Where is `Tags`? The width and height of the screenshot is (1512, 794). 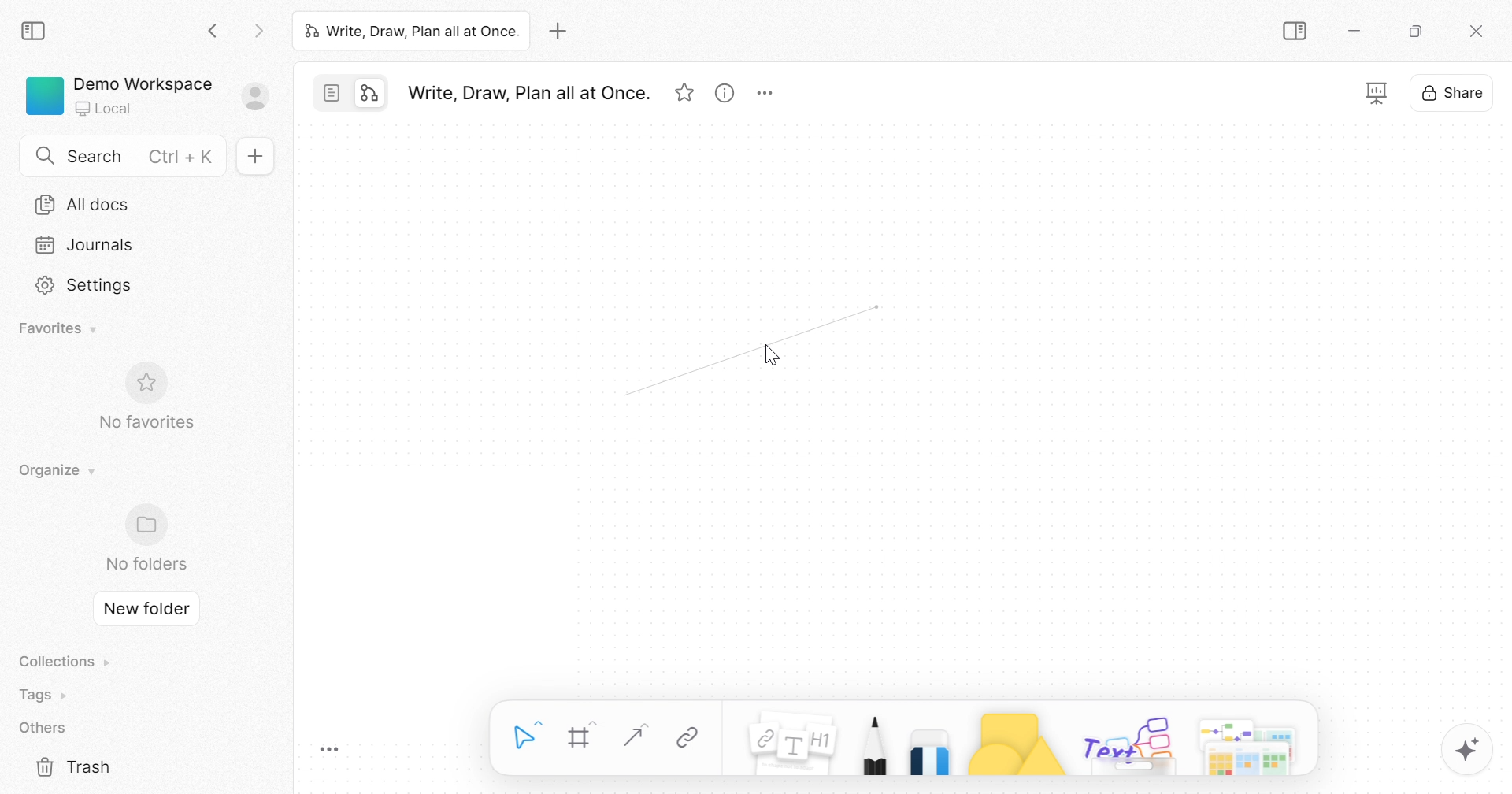 Tags is located at coordinates (46, 695).